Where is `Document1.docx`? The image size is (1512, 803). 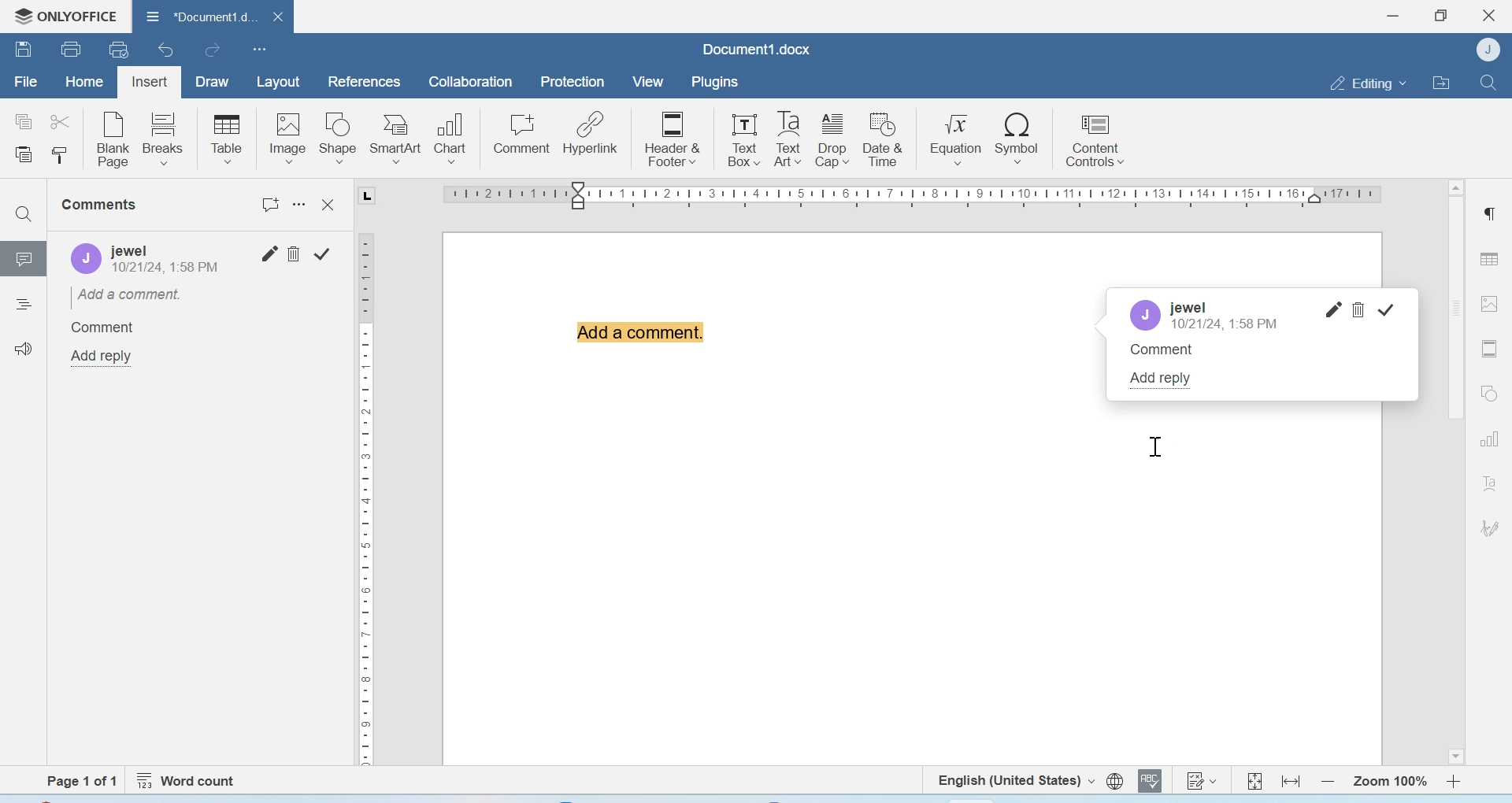 Document1.docx is located at coordinates (757, 49).